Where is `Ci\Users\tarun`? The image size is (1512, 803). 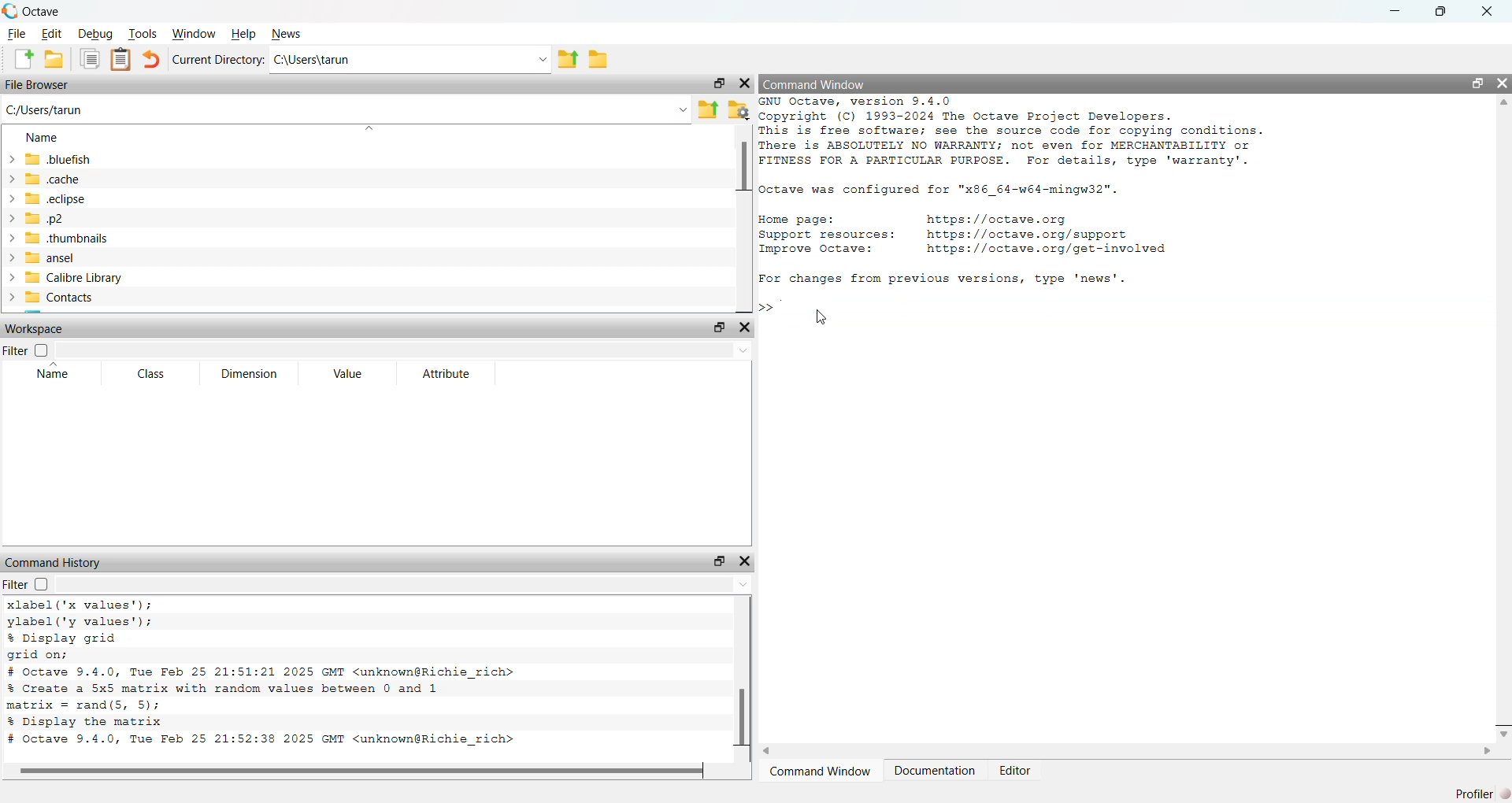
Ci\Users\tarun is located at coordinates (373, 62).